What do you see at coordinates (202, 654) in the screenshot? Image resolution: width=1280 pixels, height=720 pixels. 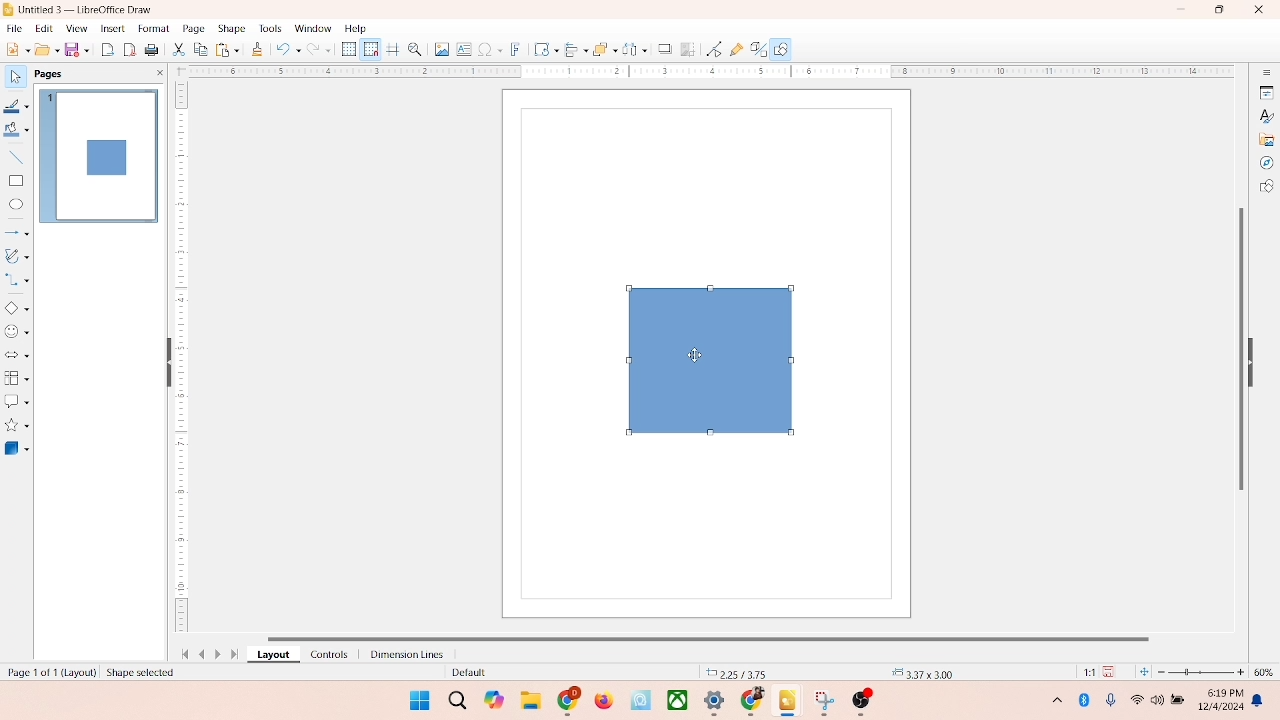 I see `previous page` at bounding box center [202, 654].